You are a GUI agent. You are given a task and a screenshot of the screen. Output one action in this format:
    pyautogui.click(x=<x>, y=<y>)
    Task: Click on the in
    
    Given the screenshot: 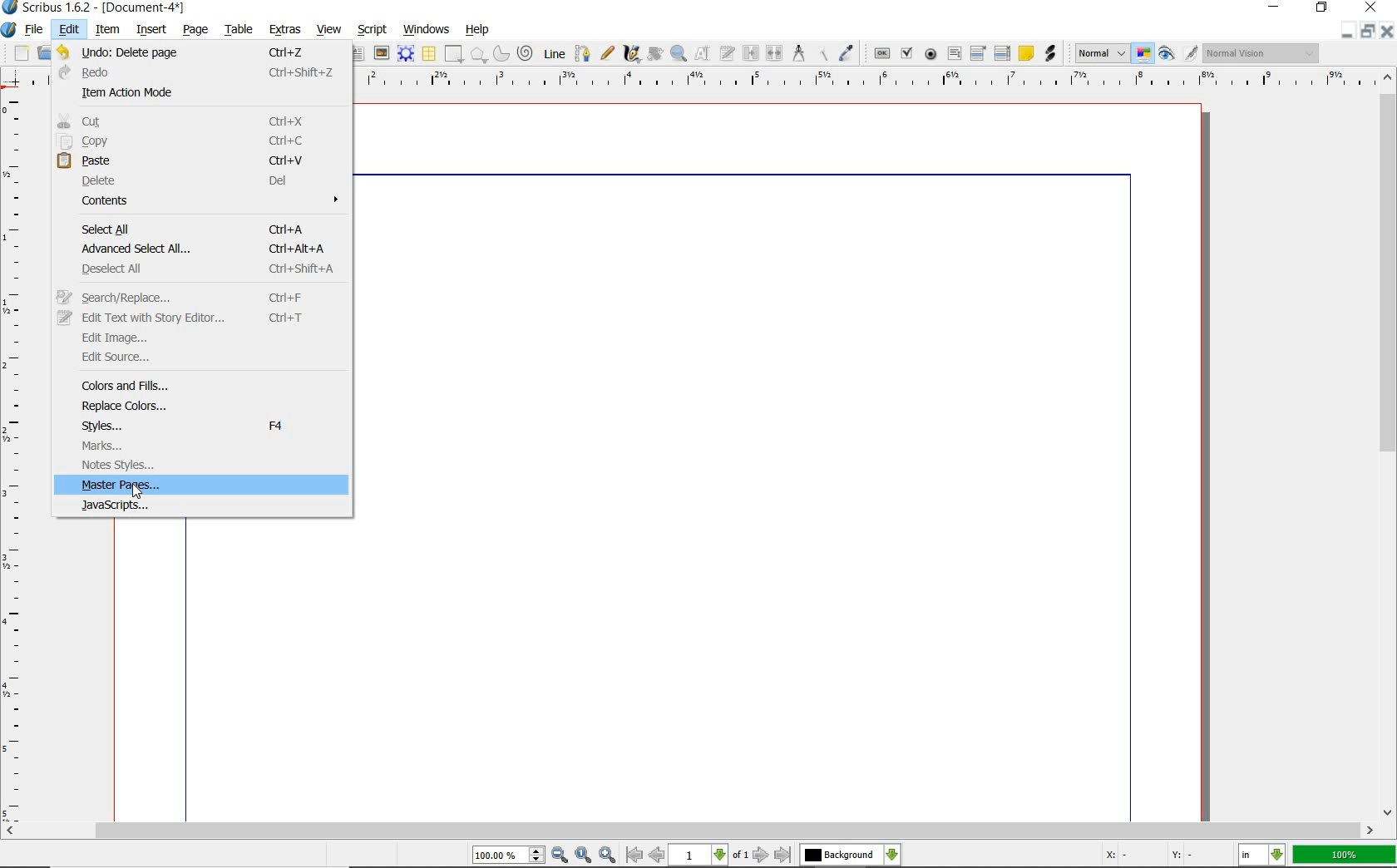 What is the action you would take?
    pyautogui.click(x=1262, y=856)
    